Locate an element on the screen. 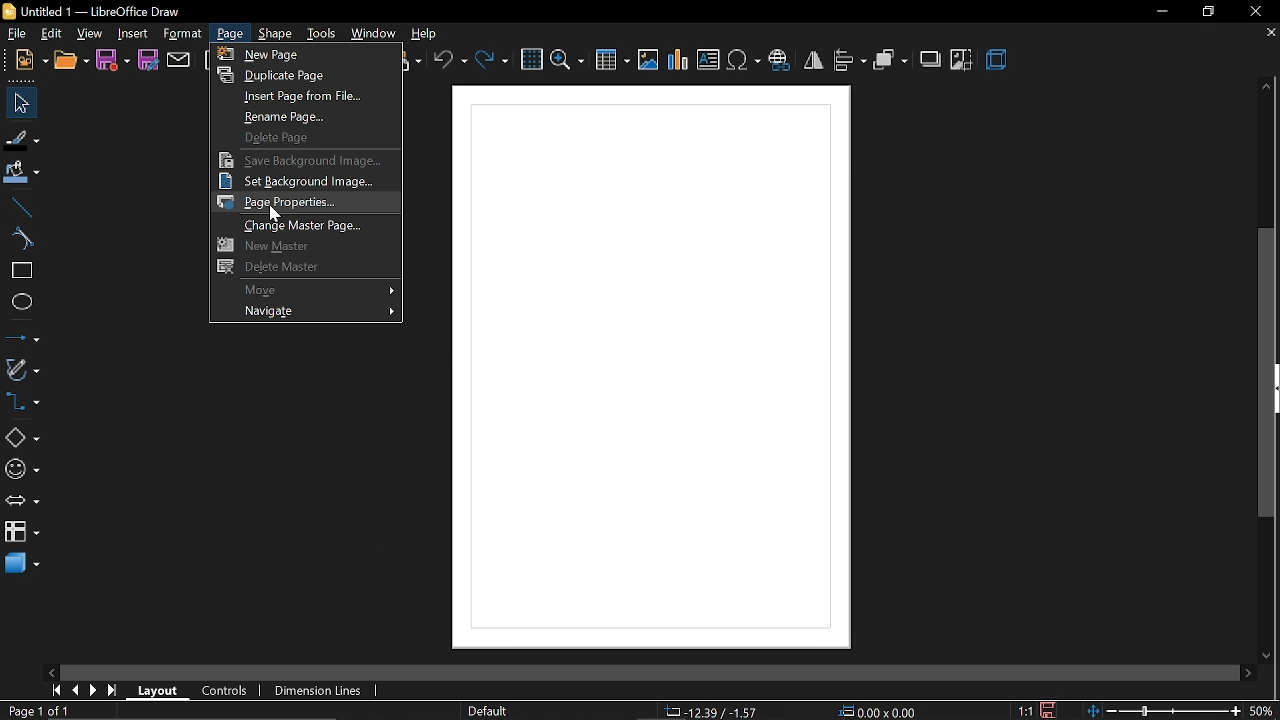 The image size is (1280, 720). ellipse is located at coordinates (21, 304).